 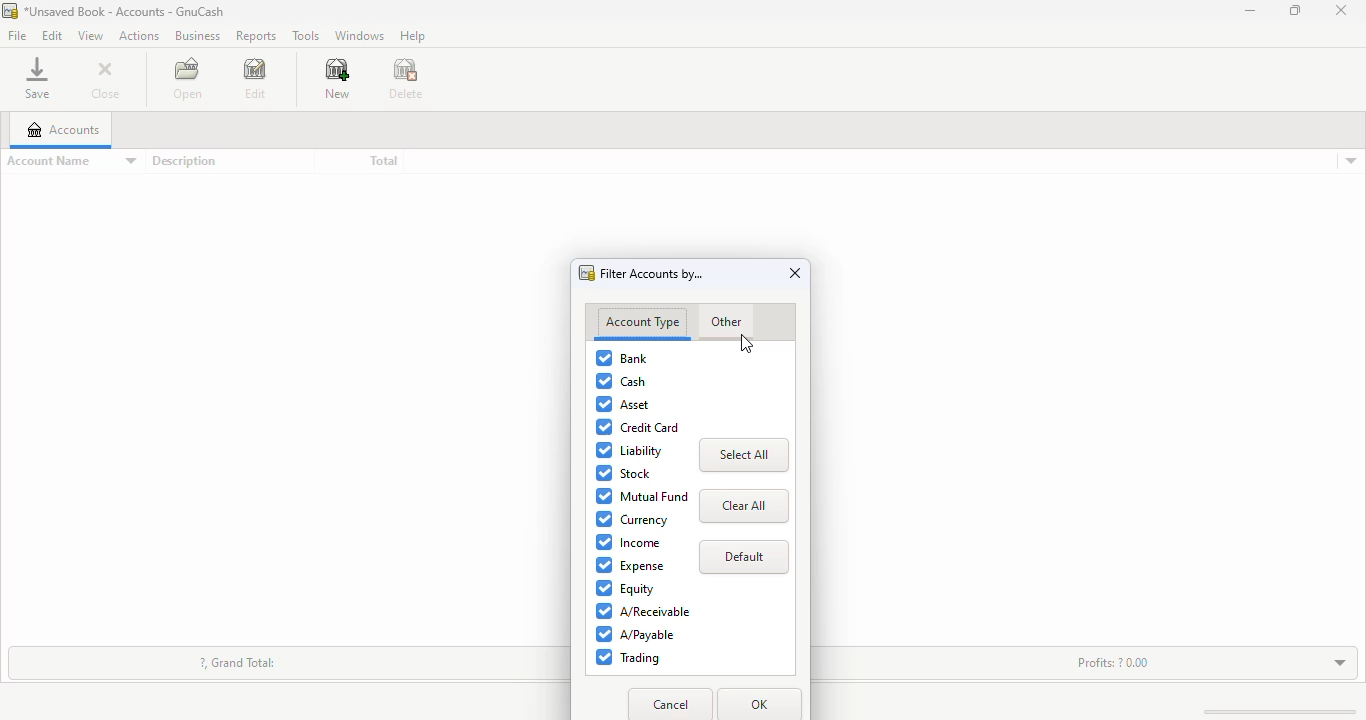 What do you see at coordinates (406, 79) in the screenshot?
I see `delete` at bounding box center [406, 79].